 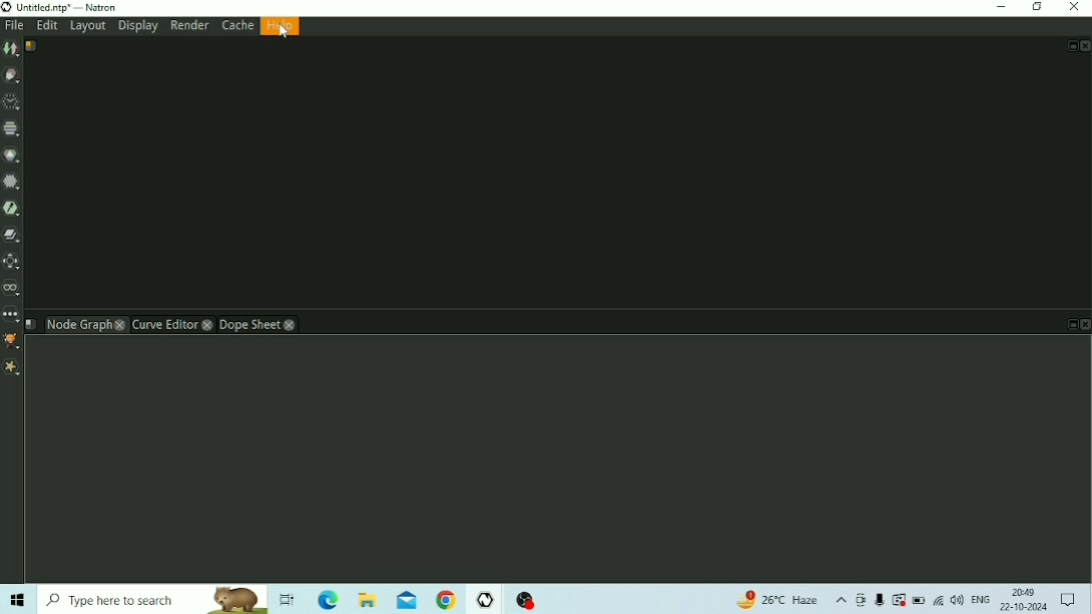 What do you see at coordinates (529, 600) in the screenshot?
I see `OBS Studio` at bounding box center [529, 600].